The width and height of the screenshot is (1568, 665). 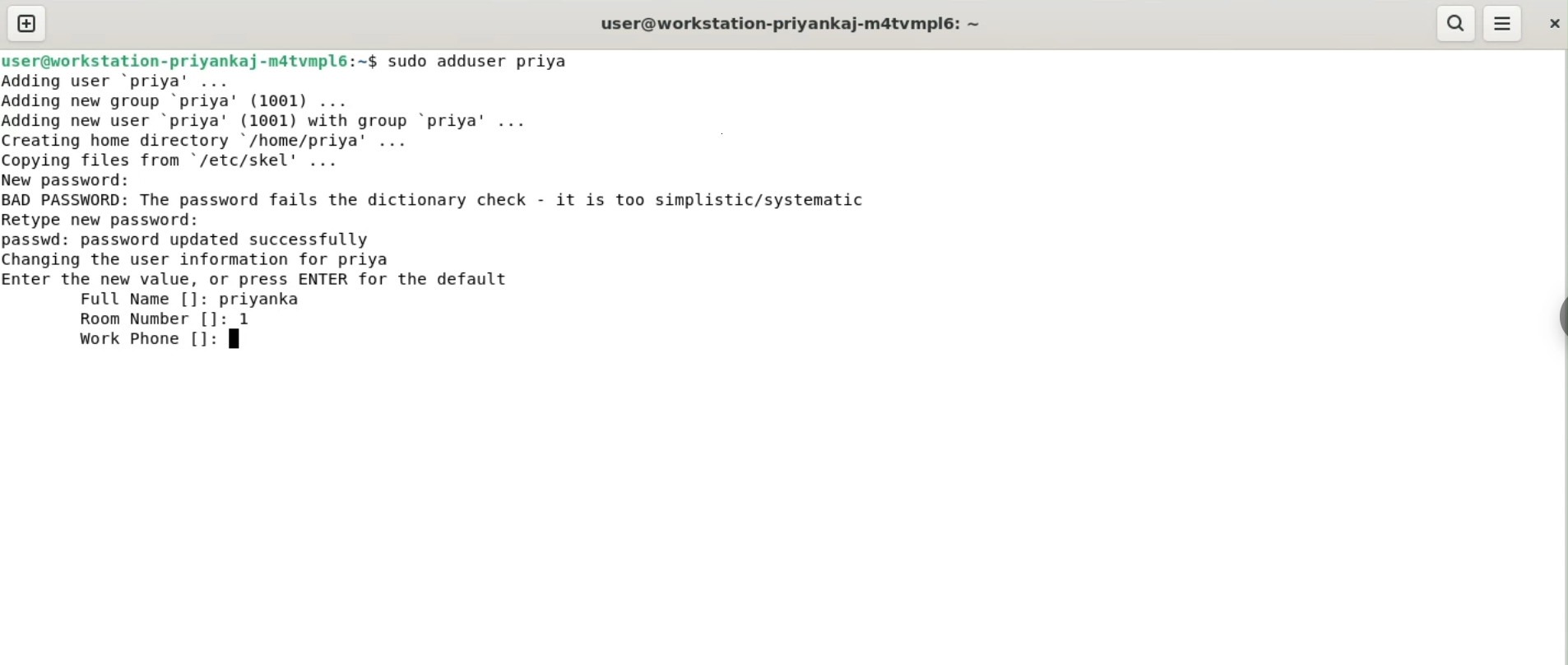 I want to click on search, so click(x=1457, y=24).